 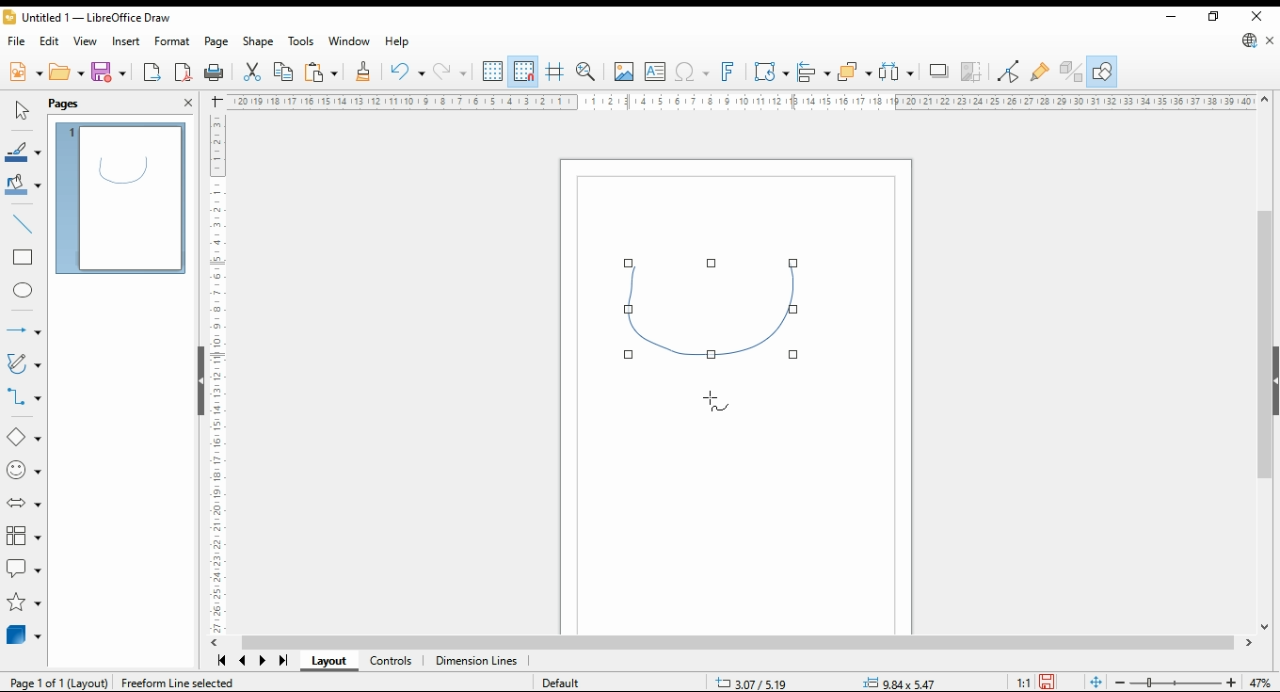 I want to click on close document, so click(x=1270, y=39).